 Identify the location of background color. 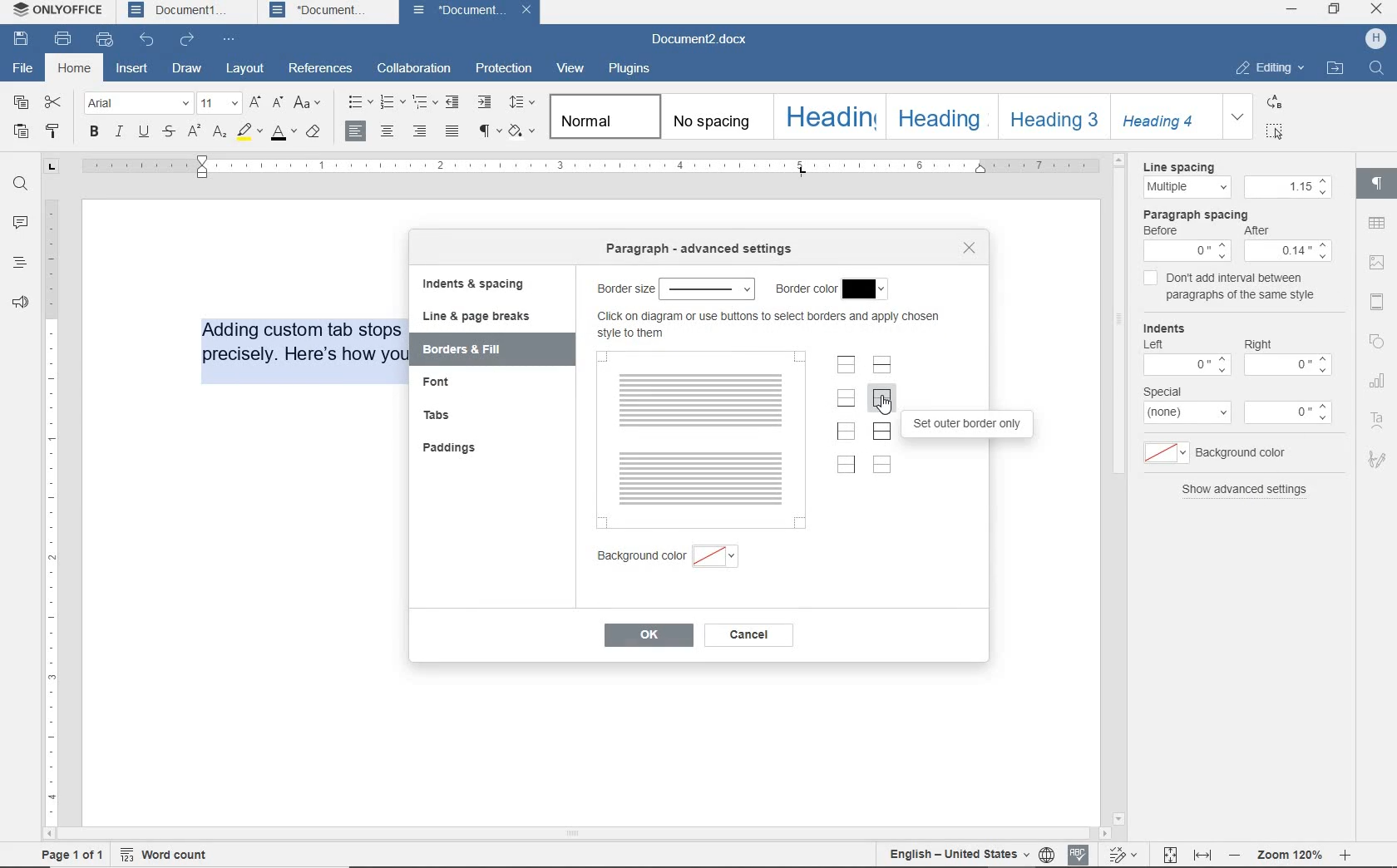
(1244, 451).